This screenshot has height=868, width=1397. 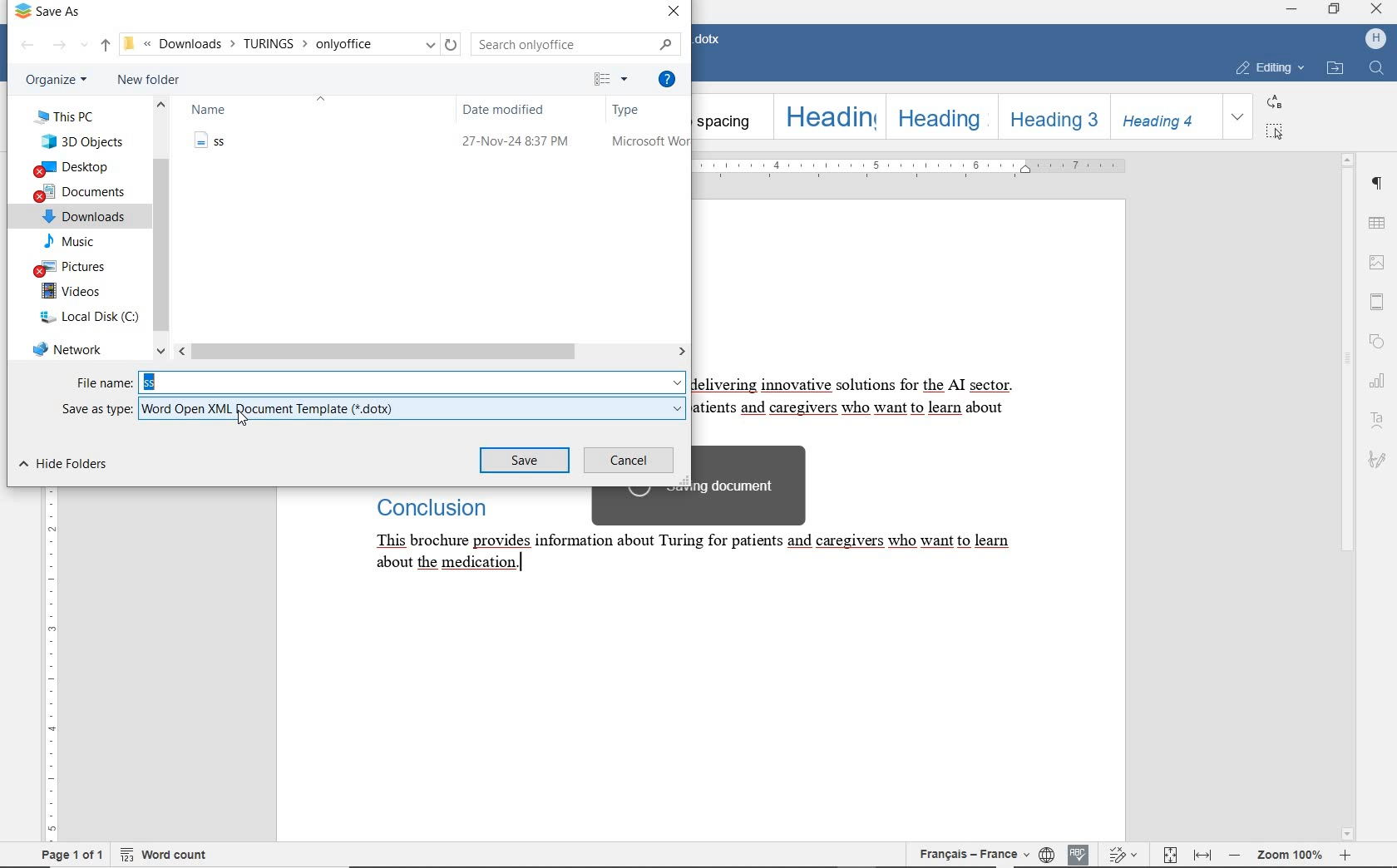 I want to click on scroll down, so click(x=161, y=353).